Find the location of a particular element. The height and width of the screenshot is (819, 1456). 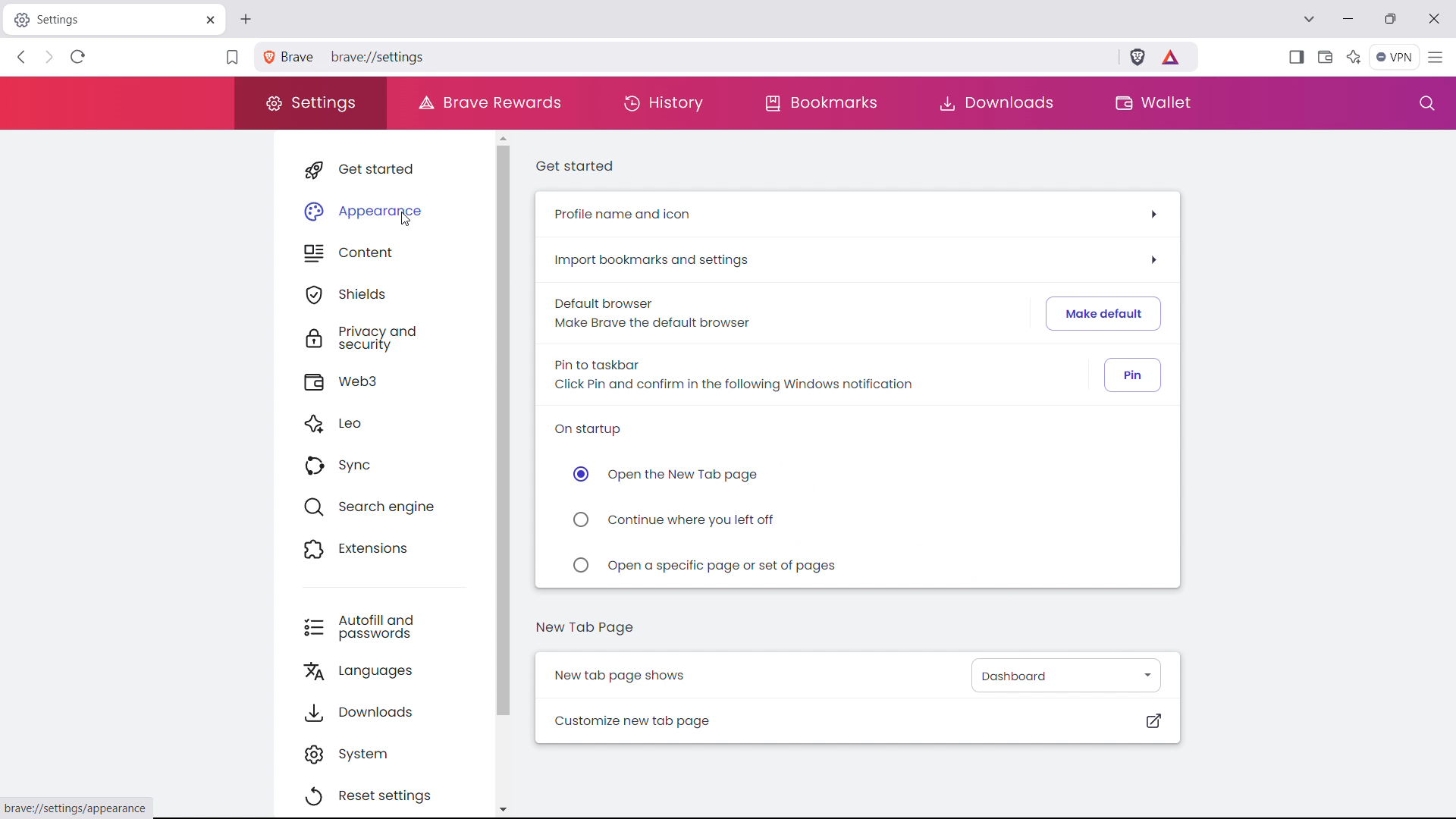

privacy and security is located at coordinates (388, 336).